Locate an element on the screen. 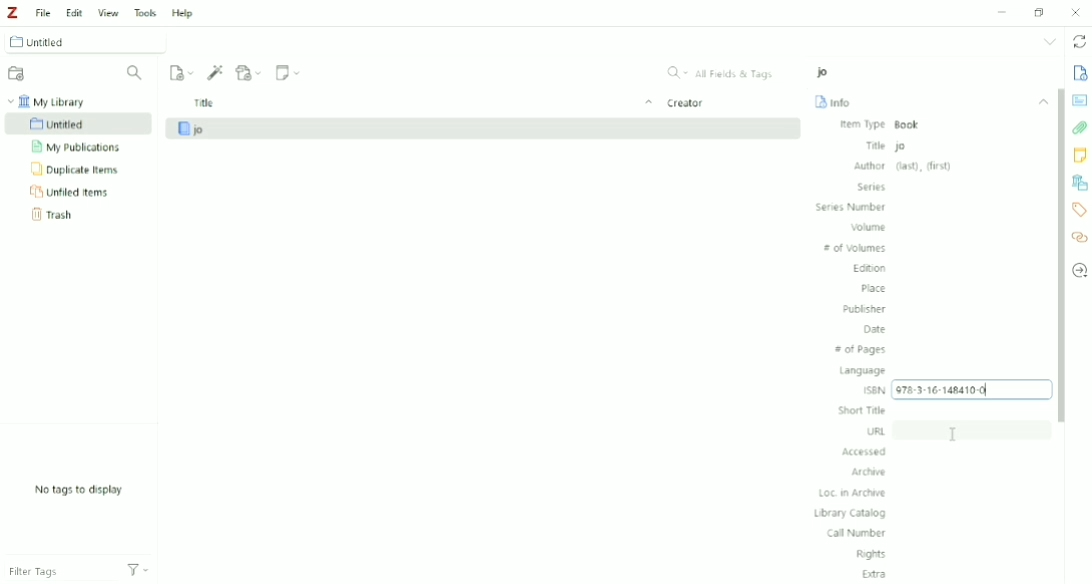 Image resolution: width=1092 pixels, height=584 pixels. Duplicate Items is located at coordinates (77, 170).